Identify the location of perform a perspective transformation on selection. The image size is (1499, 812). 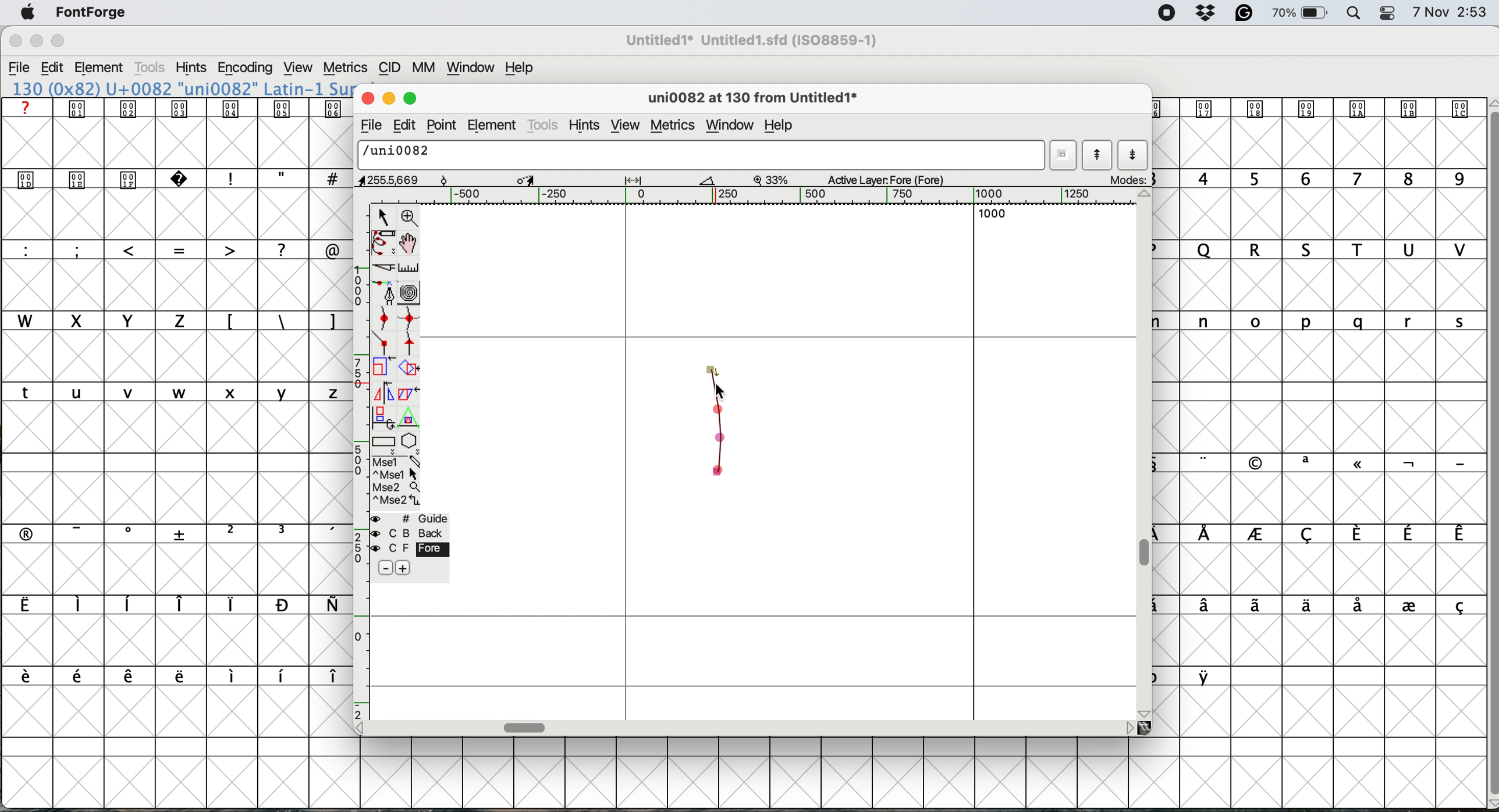
(411, 421).